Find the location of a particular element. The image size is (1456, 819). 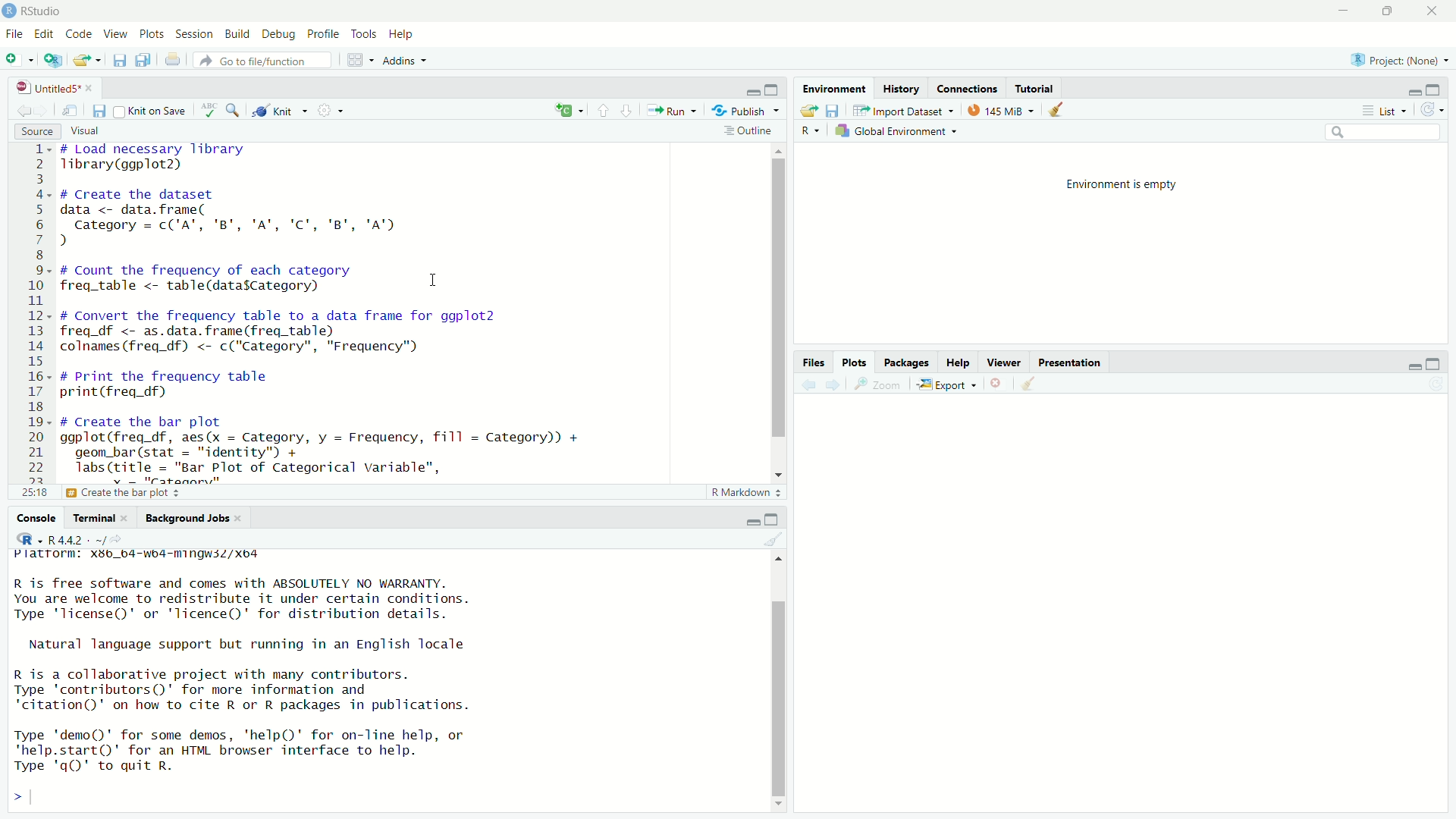

clear current plot is located at coordinates (997, 383).